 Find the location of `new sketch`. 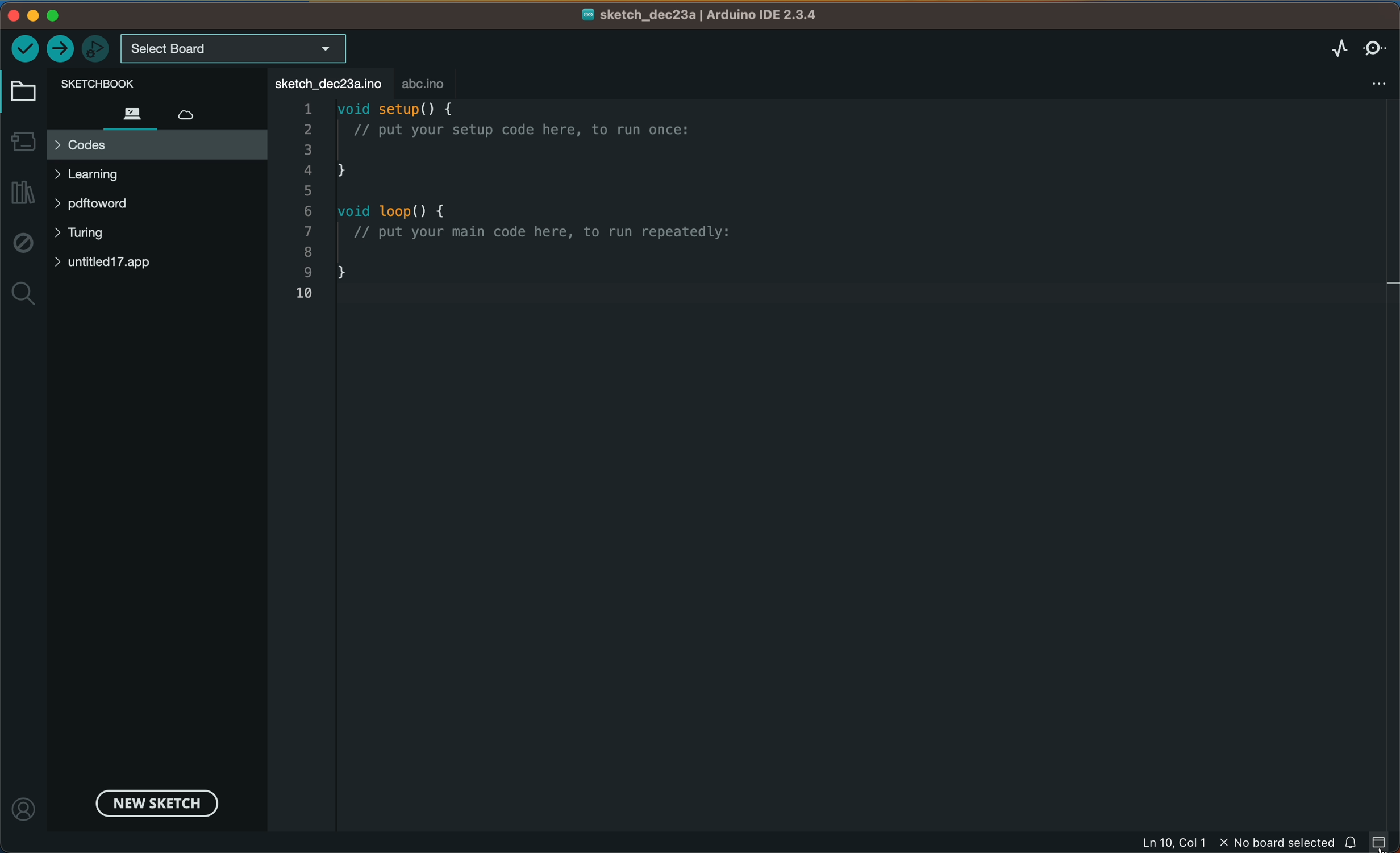

new sketch is located at coordinates (152, 802).